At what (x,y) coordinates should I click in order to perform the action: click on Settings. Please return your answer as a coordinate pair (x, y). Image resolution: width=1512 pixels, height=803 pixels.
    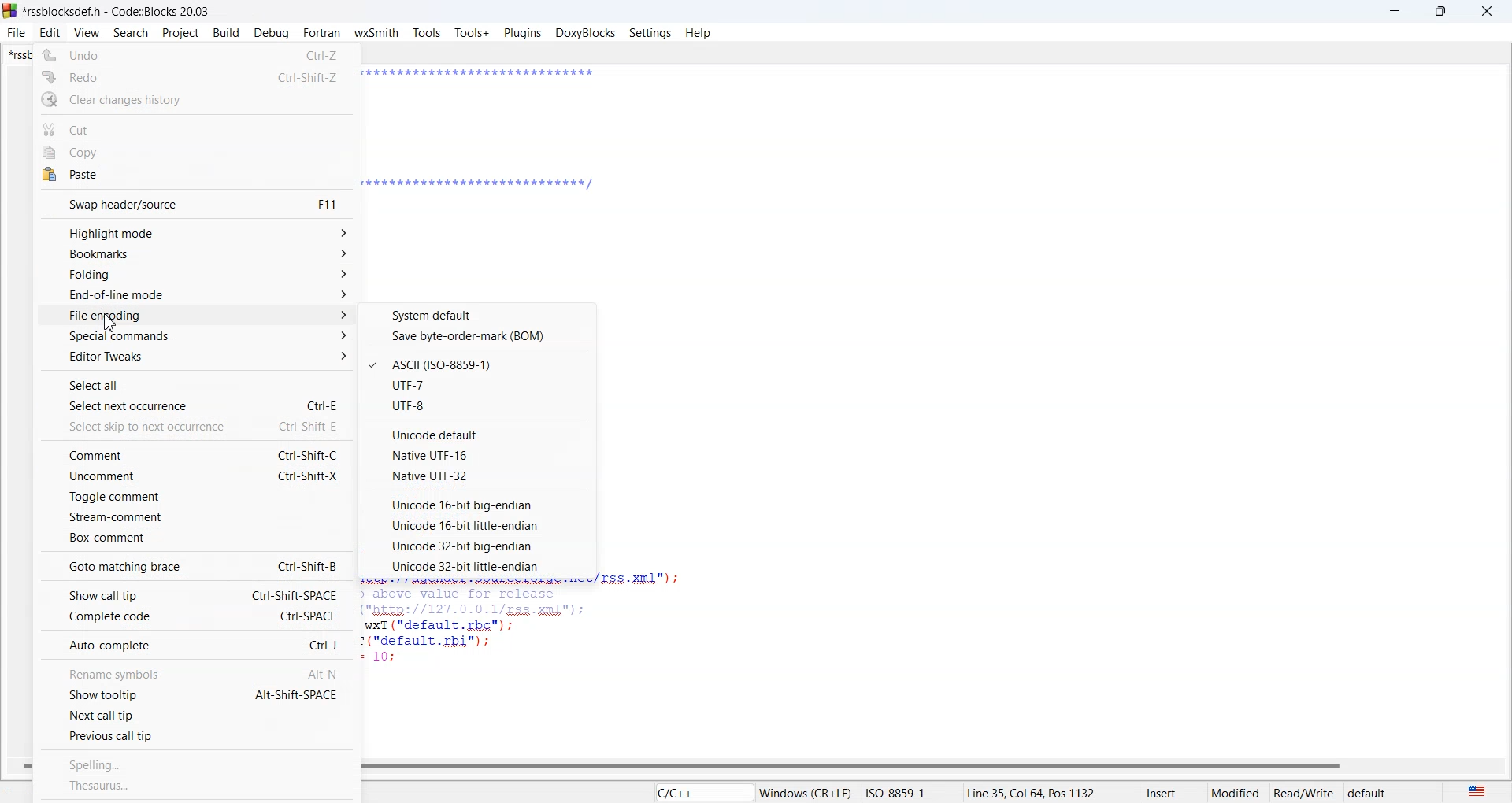
    Looking at the image, I should click on (650, 32).